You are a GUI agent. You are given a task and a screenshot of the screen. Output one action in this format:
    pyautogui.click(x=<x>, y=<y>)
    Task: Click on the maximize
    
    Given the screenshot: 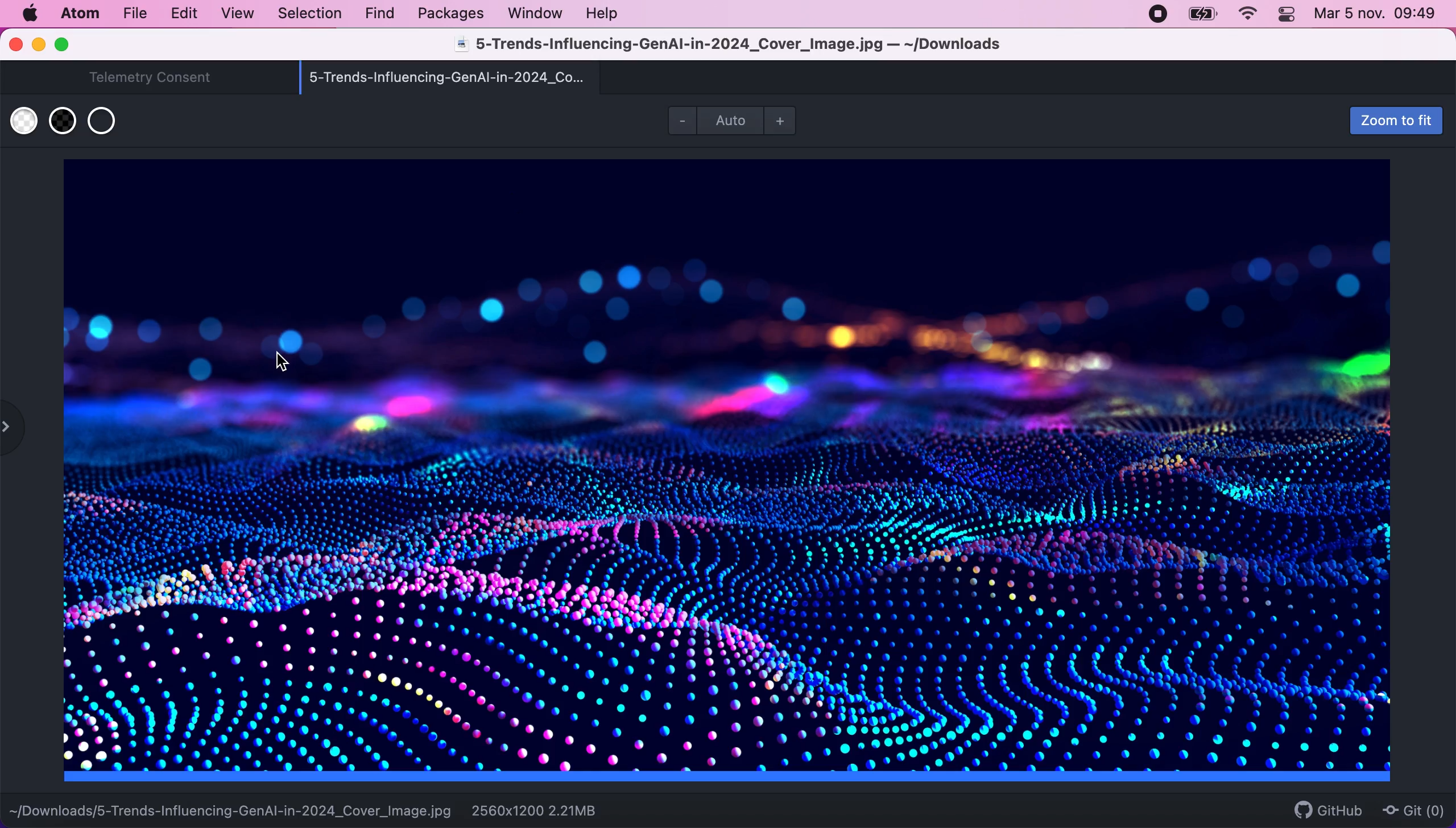 What is the action you would take?
    pyautogui.click(x=71, y=43)
    